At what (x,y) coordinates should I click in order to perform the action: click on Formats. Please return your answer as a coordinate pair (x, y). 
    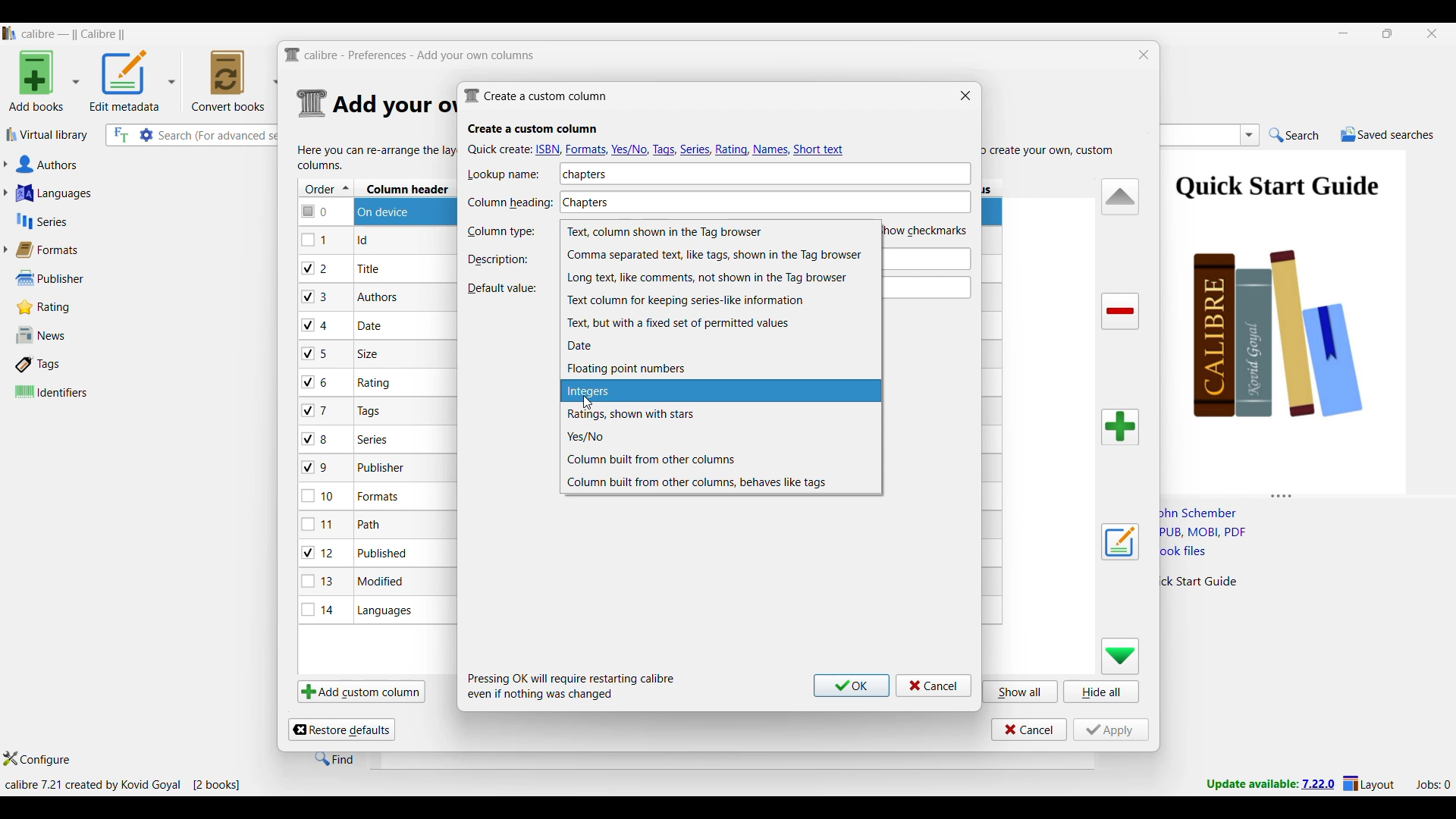
    Looking at the image, I should click on (54, 249).